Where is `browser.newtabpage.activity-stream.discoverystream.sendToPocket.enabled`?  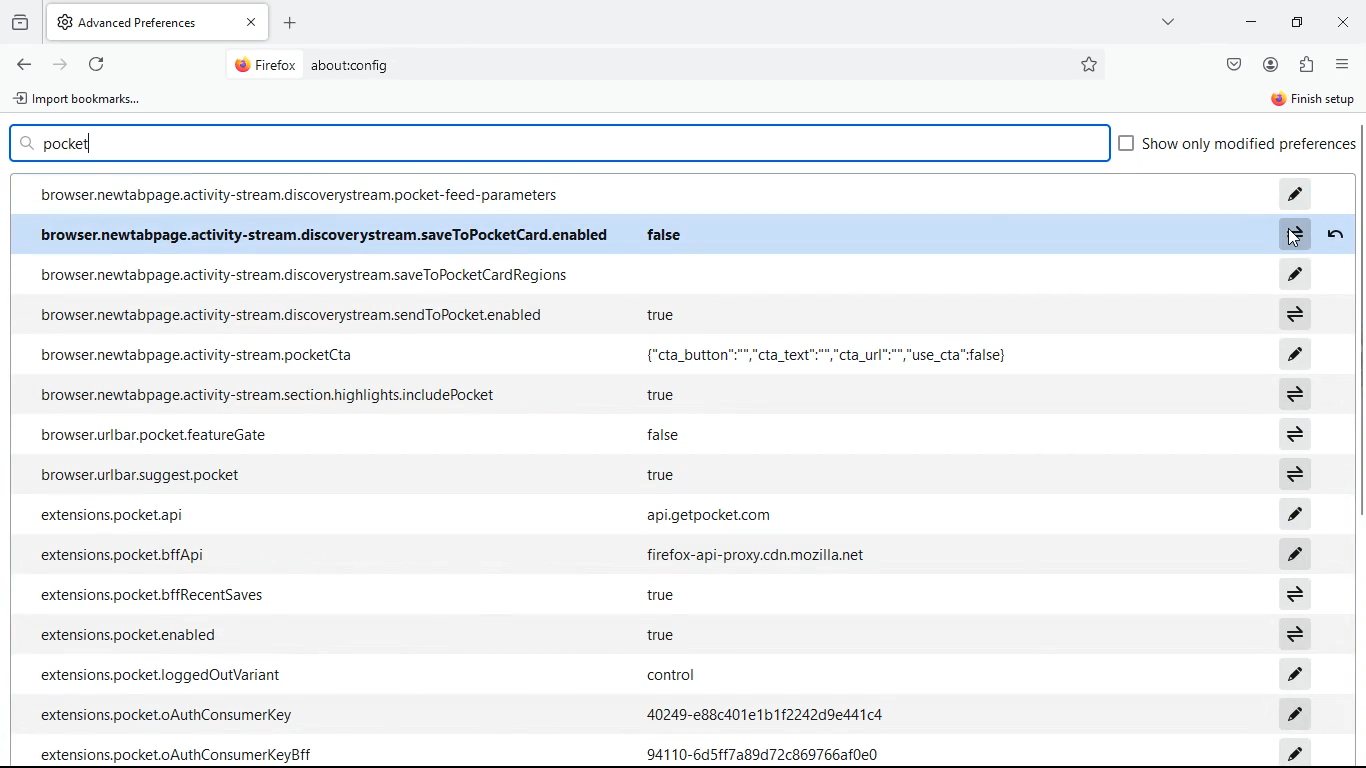 browser.newtabpage.activity-stream.discoverystream.sendToPocket.enabled is located at coordinates (296, 315).